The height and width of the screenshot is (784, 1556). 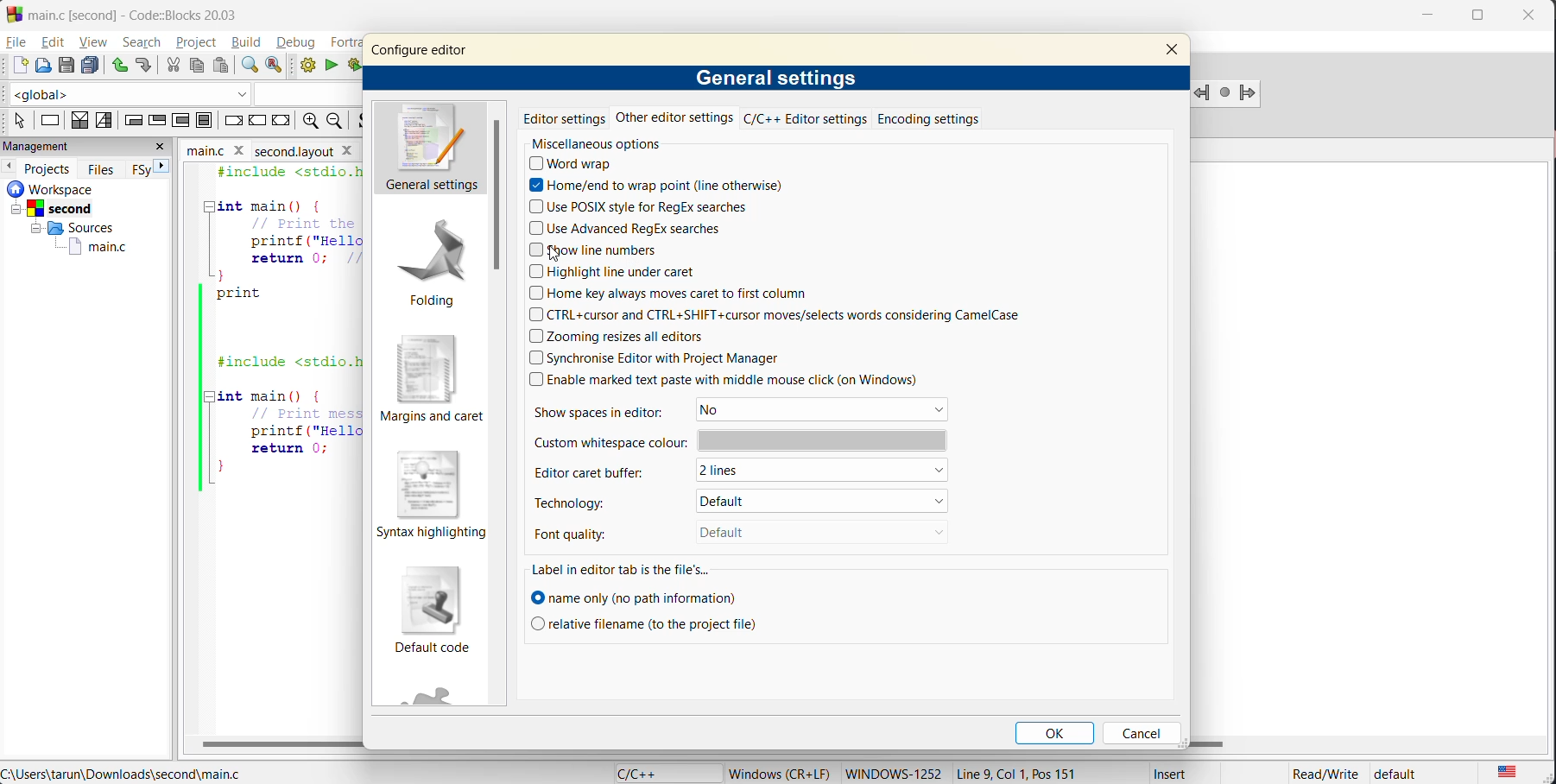 What do you see at coordinates (599, 501) in the screenshot?
I see `technology` at bounding box center [599, 501].